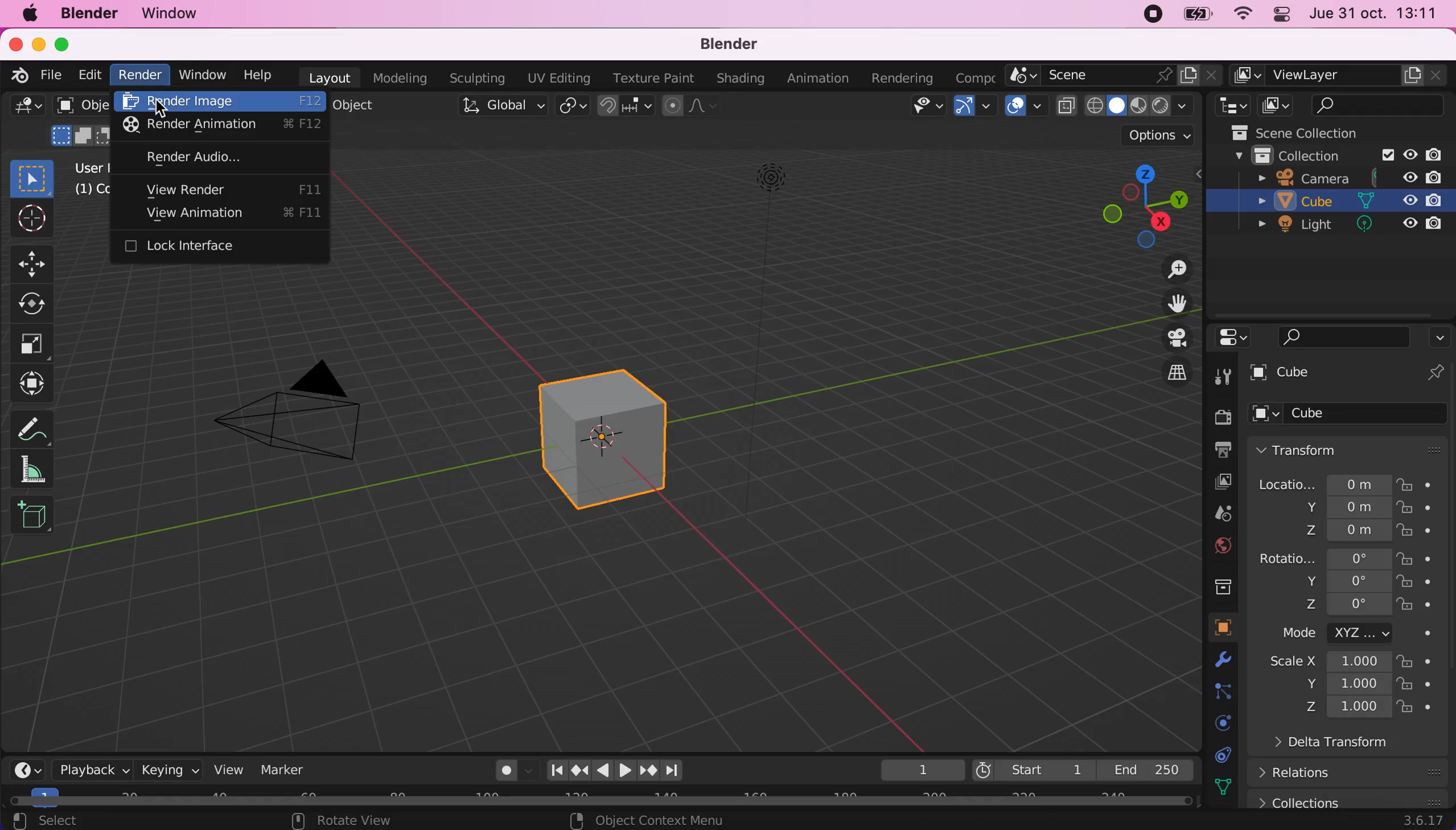 This screenshot has width=1456, height=830. What do you see at coordinates (1157, 138) in the screenshot?
I see `options` at bounding box center [1157, 138].